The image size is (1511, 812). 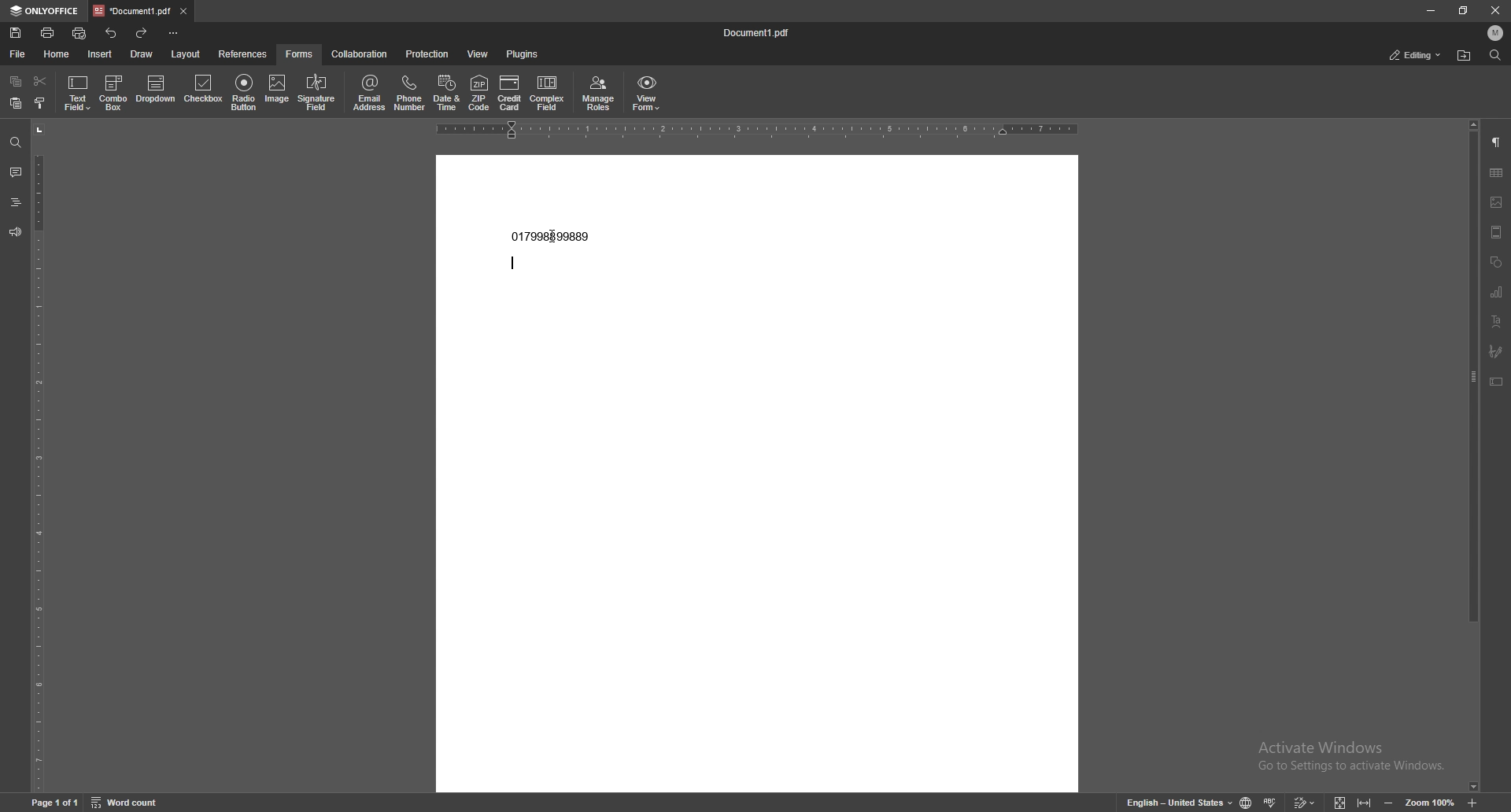 I want to click on close, so click(x=1494, y=11).